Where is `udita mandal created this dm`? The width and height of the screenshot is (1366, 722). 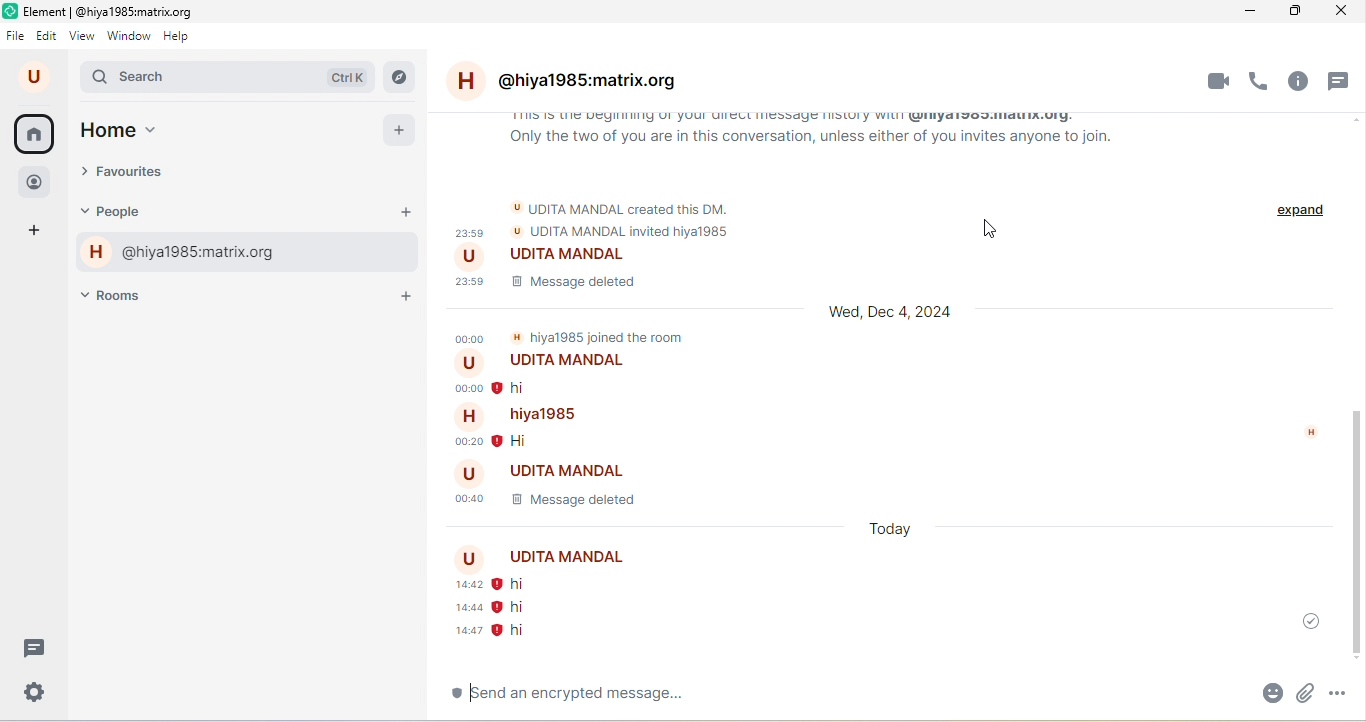 udita mandal created this dm is located at coordinates (623, 205).